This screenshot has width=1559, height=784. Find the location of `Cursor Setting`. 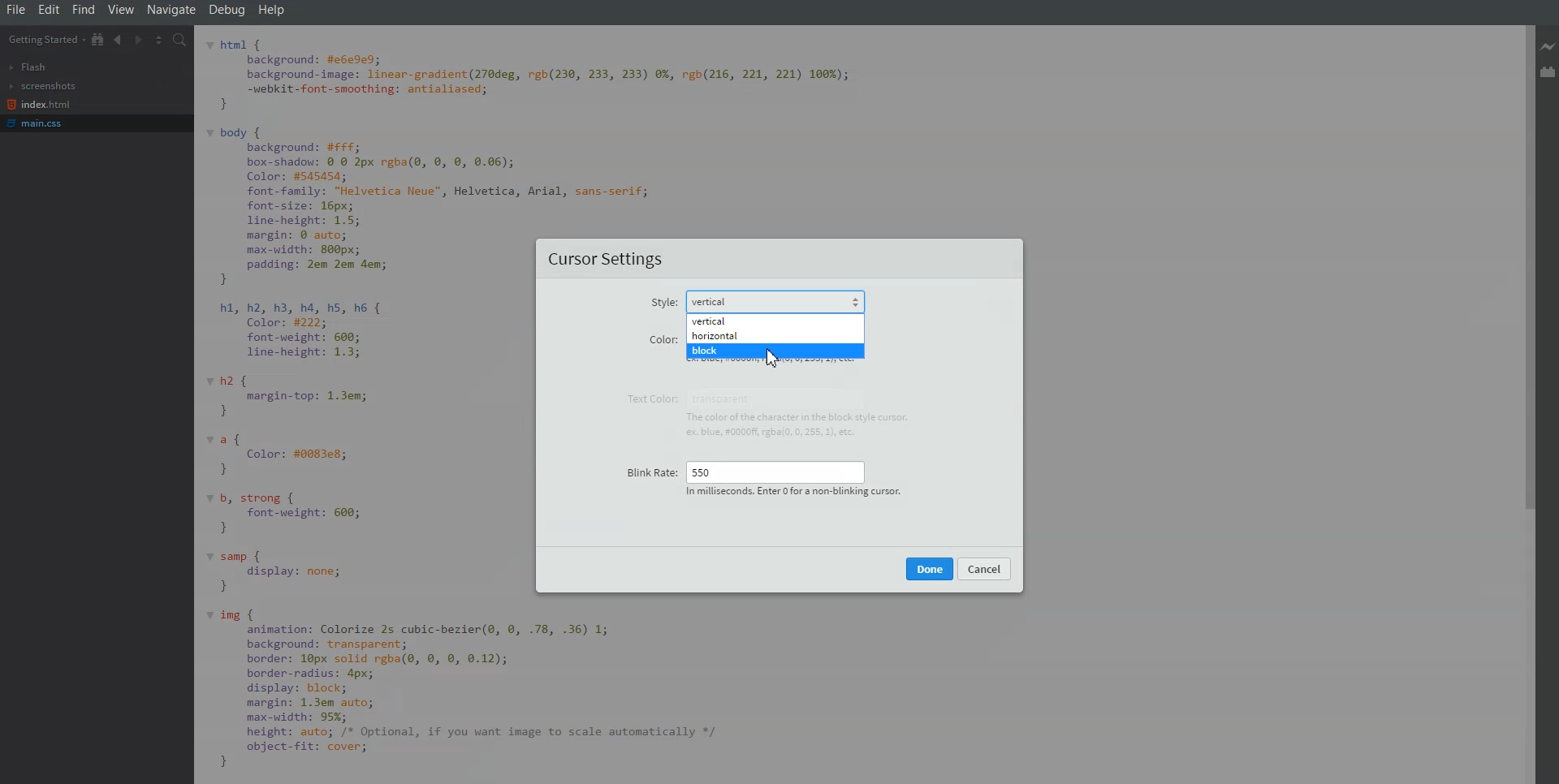

Cursor Setting is located at coordinates (607, 261).